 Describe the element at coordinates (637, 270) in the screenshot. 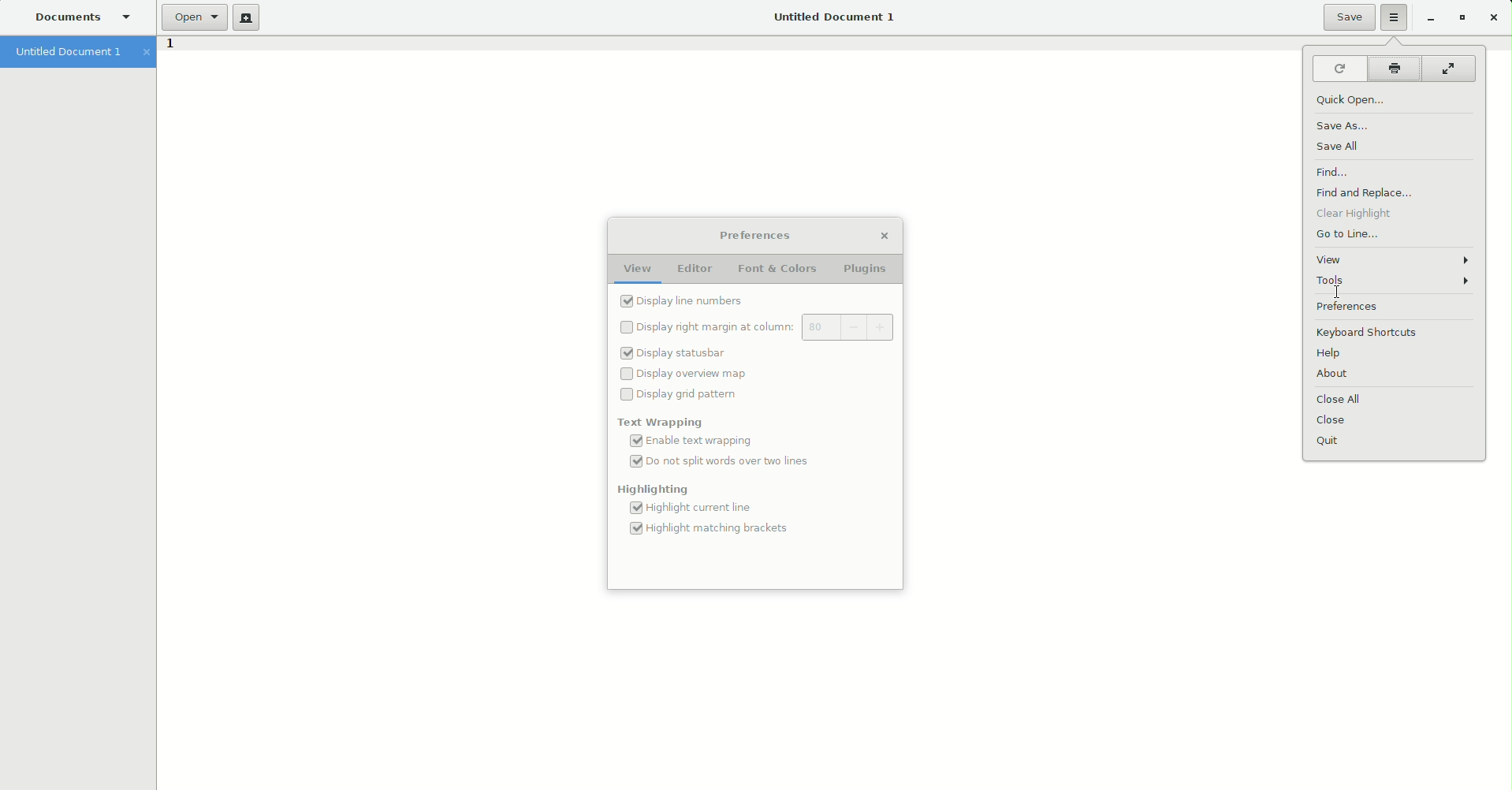

I see `View` at that location.